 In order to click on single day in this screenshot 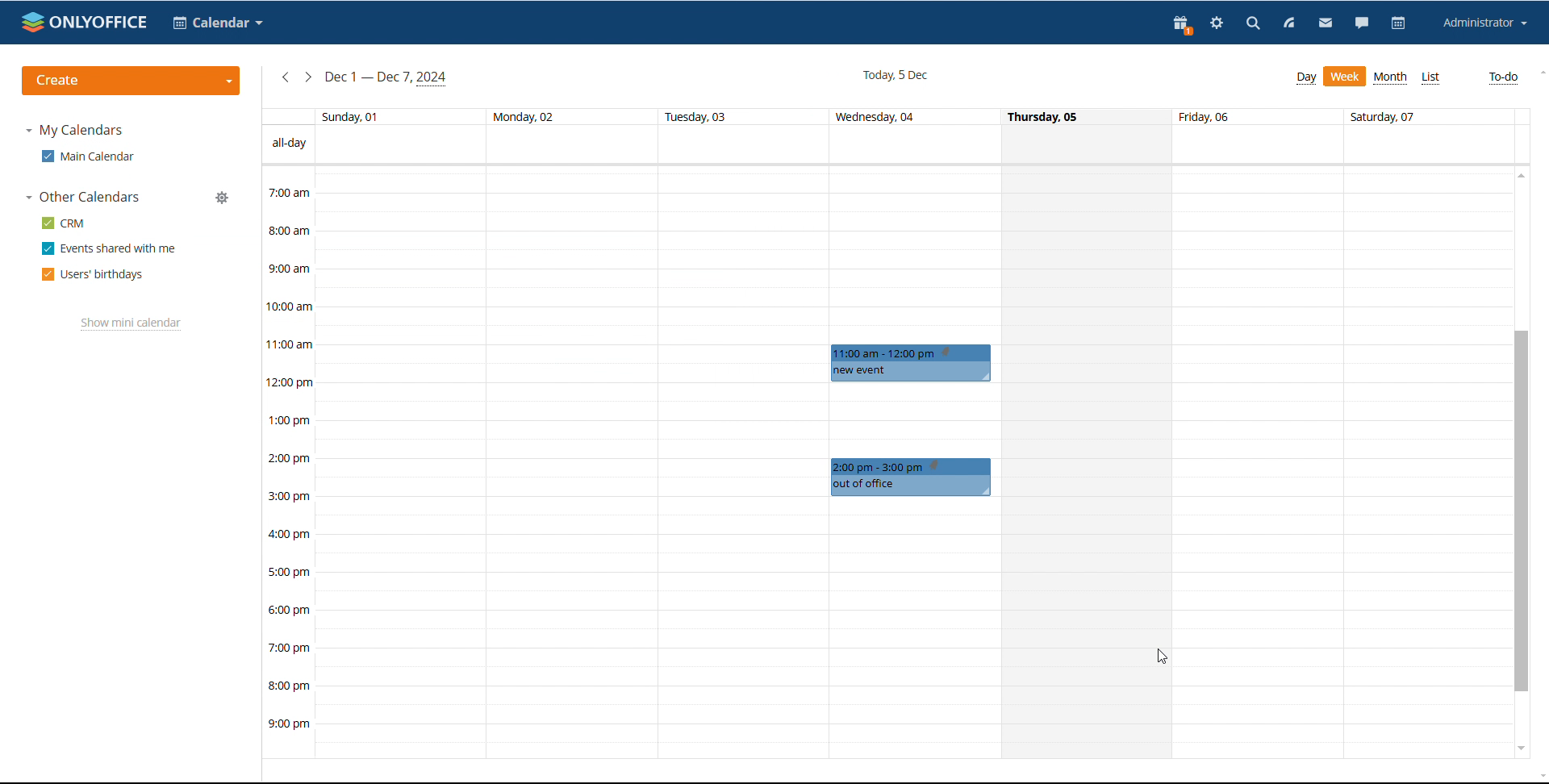, I will do `click(1089, 461)`.